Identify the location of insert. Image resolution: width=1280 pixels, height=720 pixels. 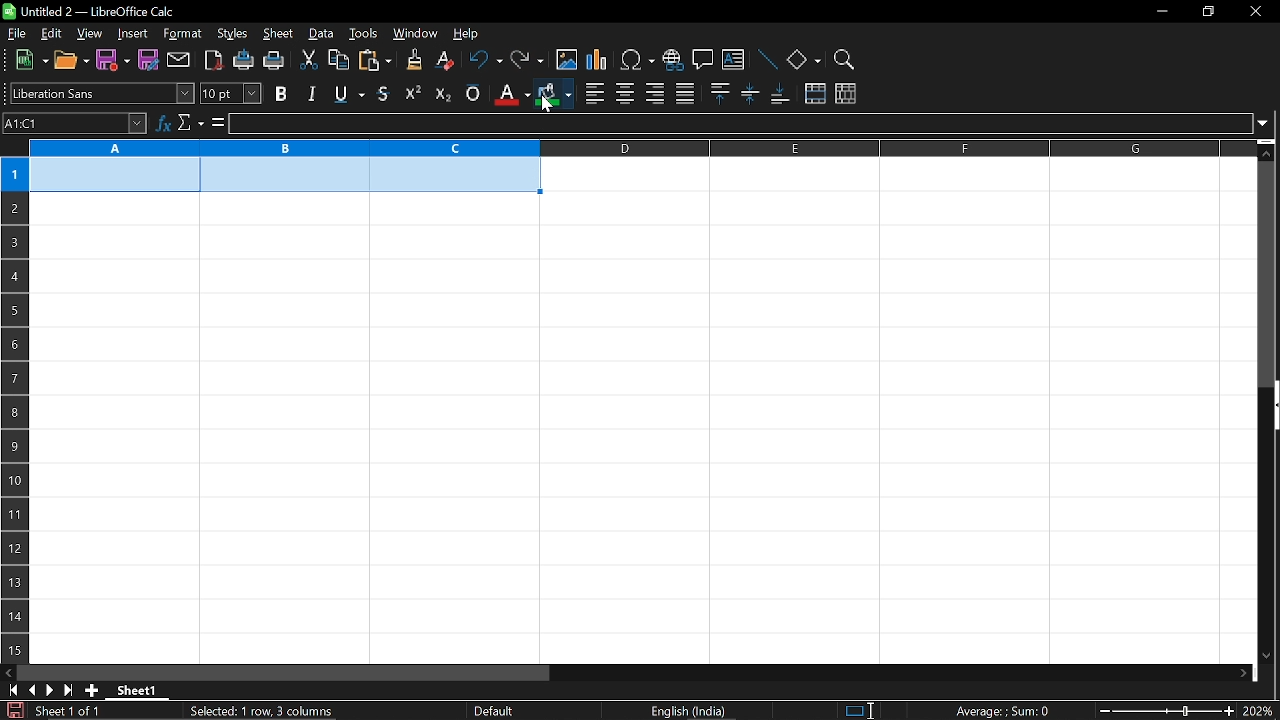
(133, 34).